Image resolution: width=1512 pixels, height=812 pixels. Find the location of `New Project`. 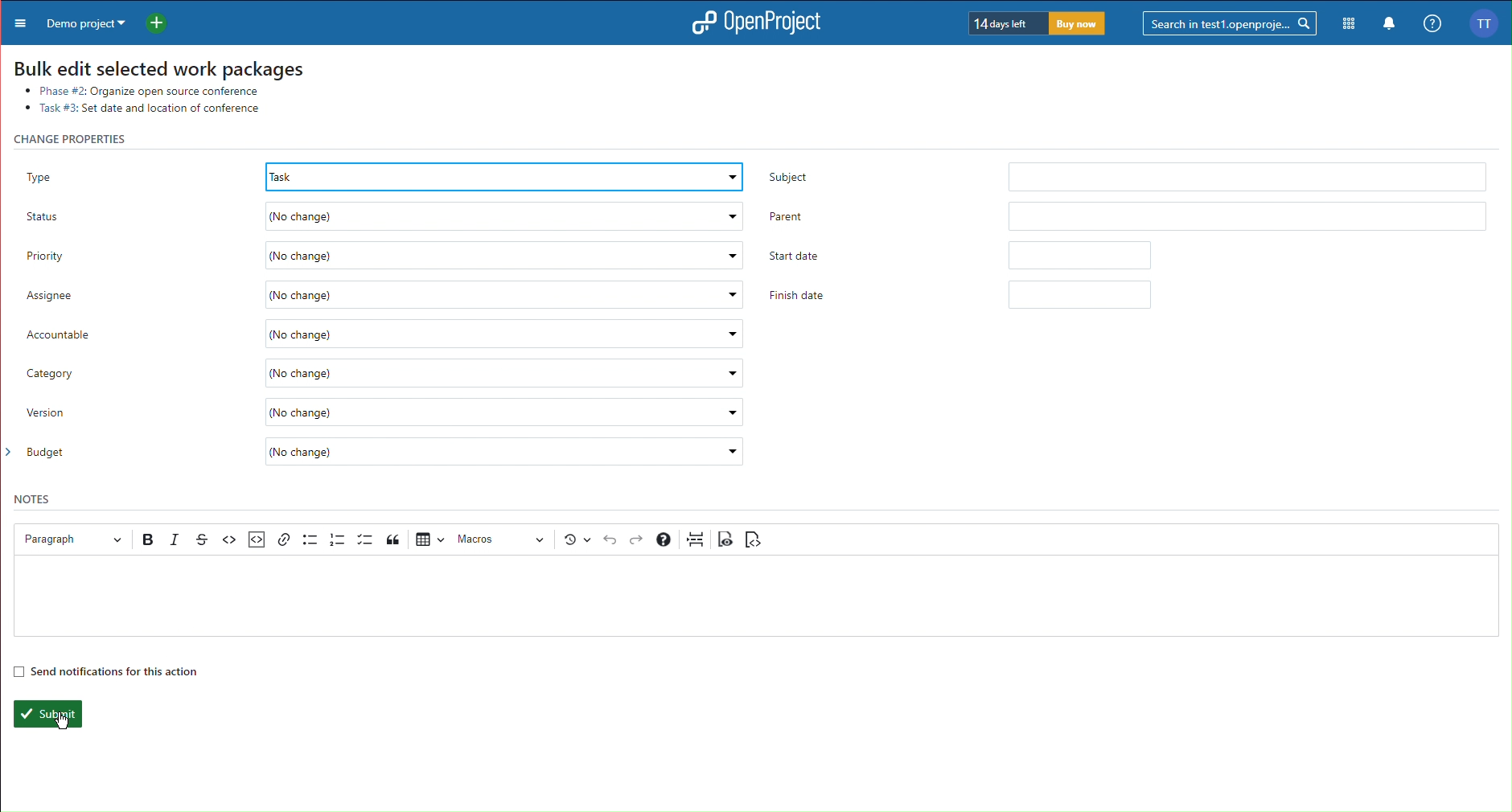

New Project is located at coordinates (162, 21).